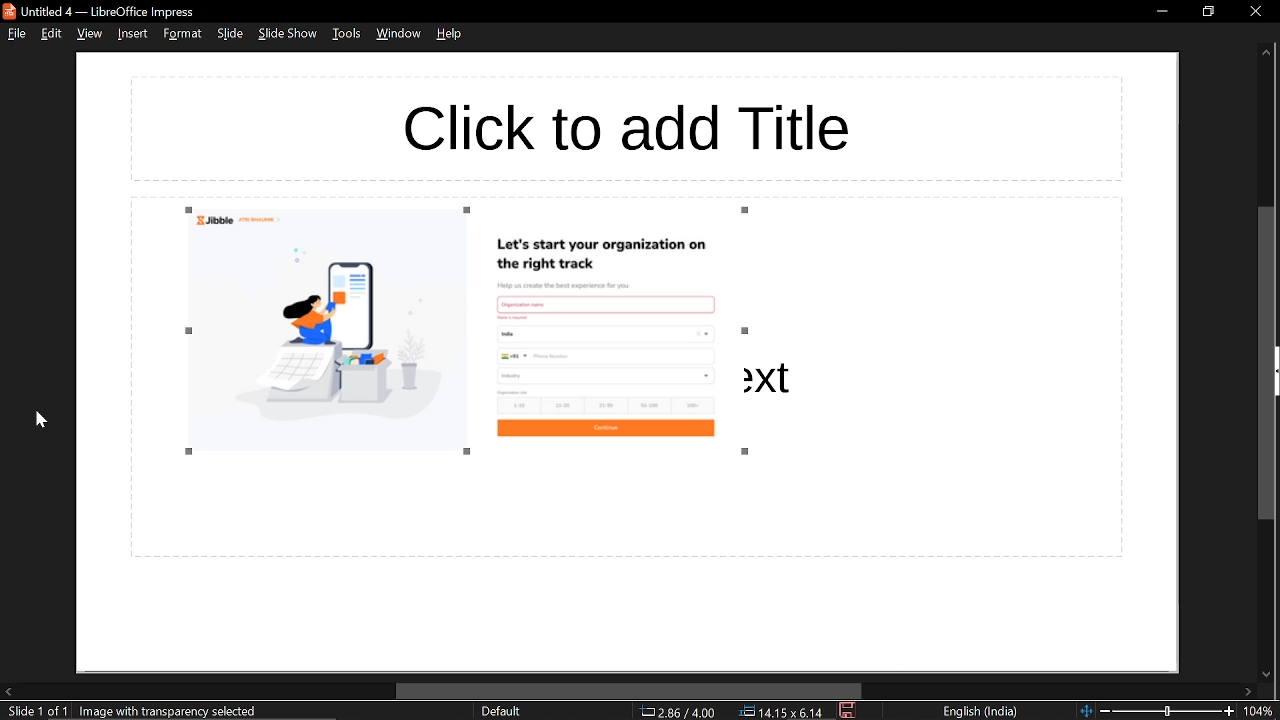  Describe the element at coordinates (1157, 711) in the screenshot. I see `change zoom` at that location.